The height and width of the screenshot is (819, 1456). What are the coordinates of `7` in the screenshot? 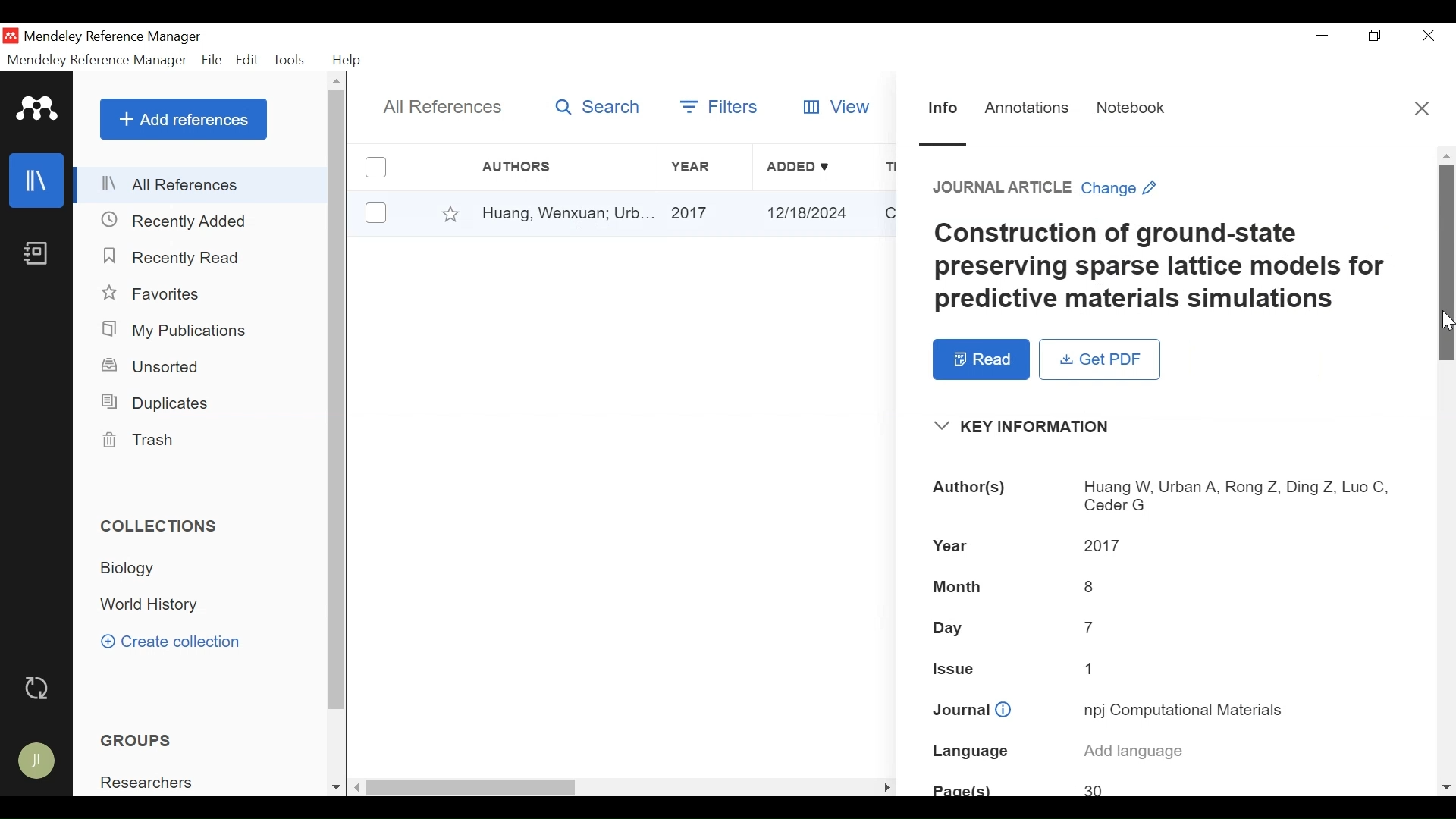 It's located at (1091, 626).